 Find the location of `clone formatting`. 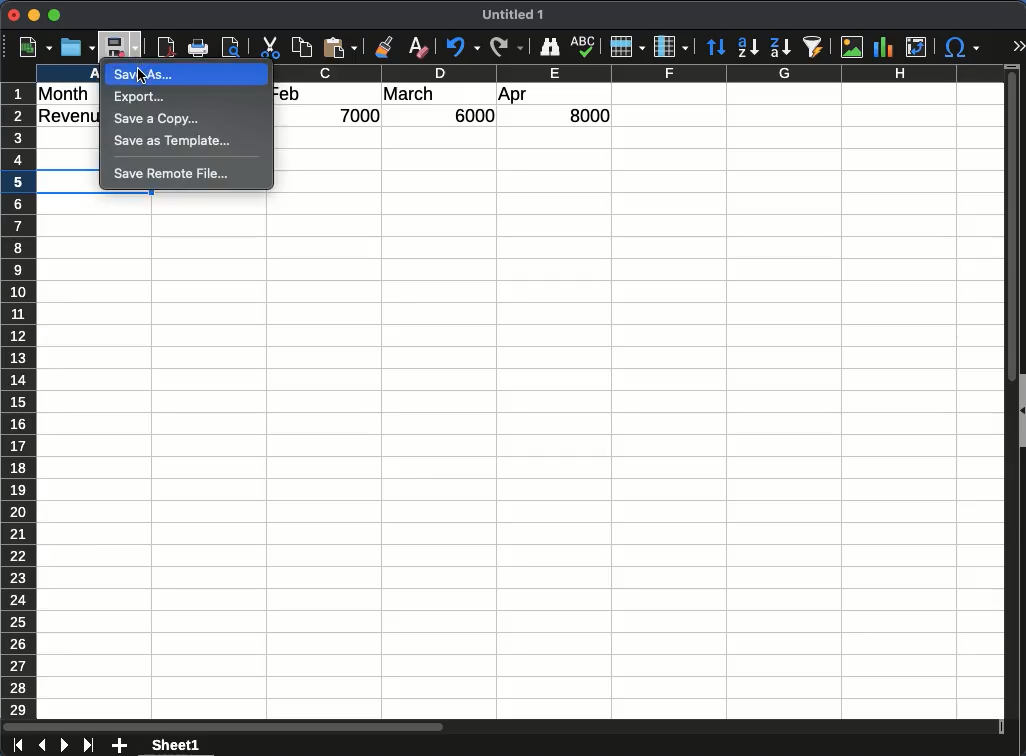

clone formatting is located at coordinates (388, 47).